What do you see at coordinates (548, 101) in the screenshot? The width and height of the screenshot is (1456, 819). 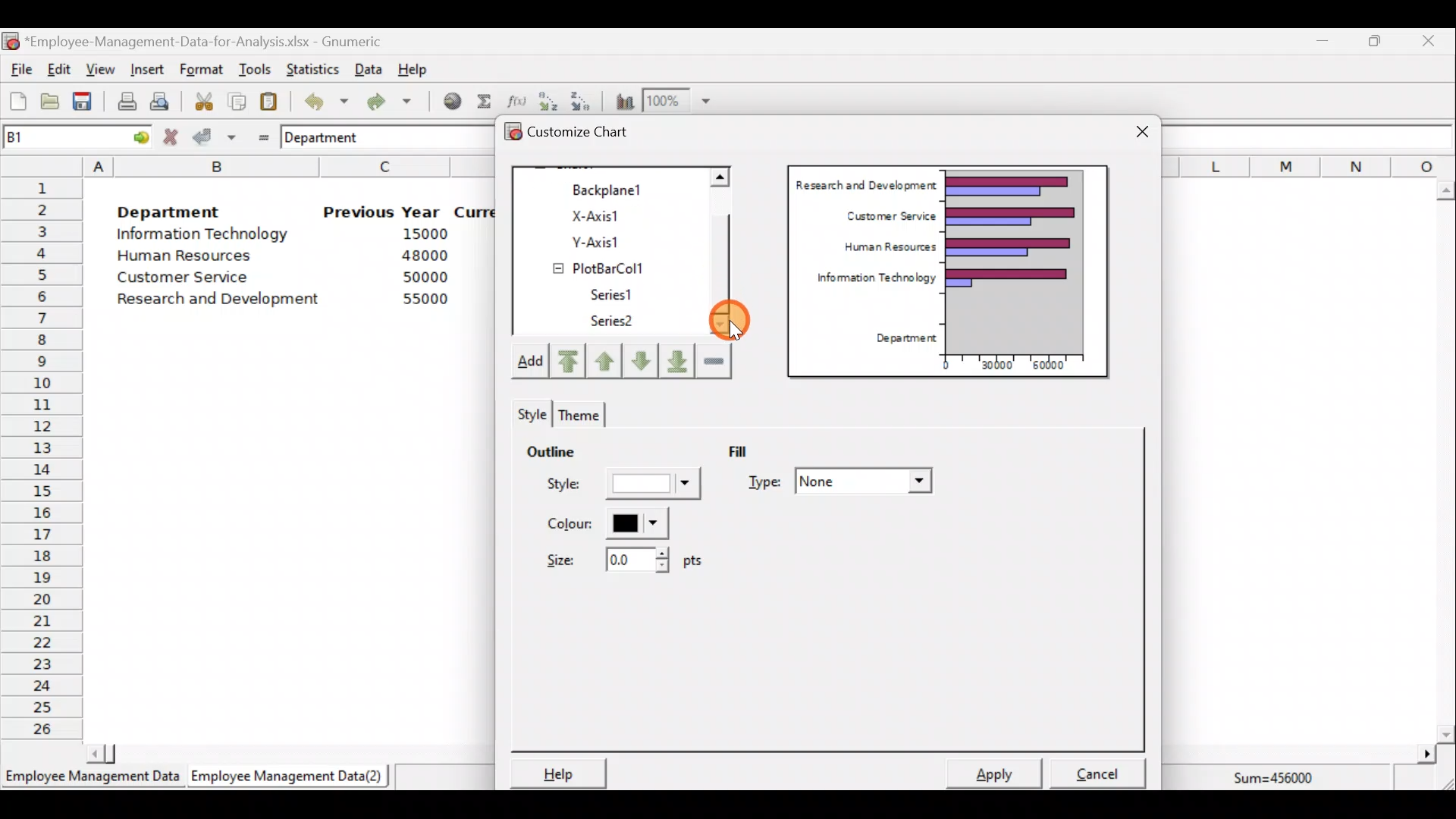 I see `Sort in Ascending order` at bounding box center [548, 101].